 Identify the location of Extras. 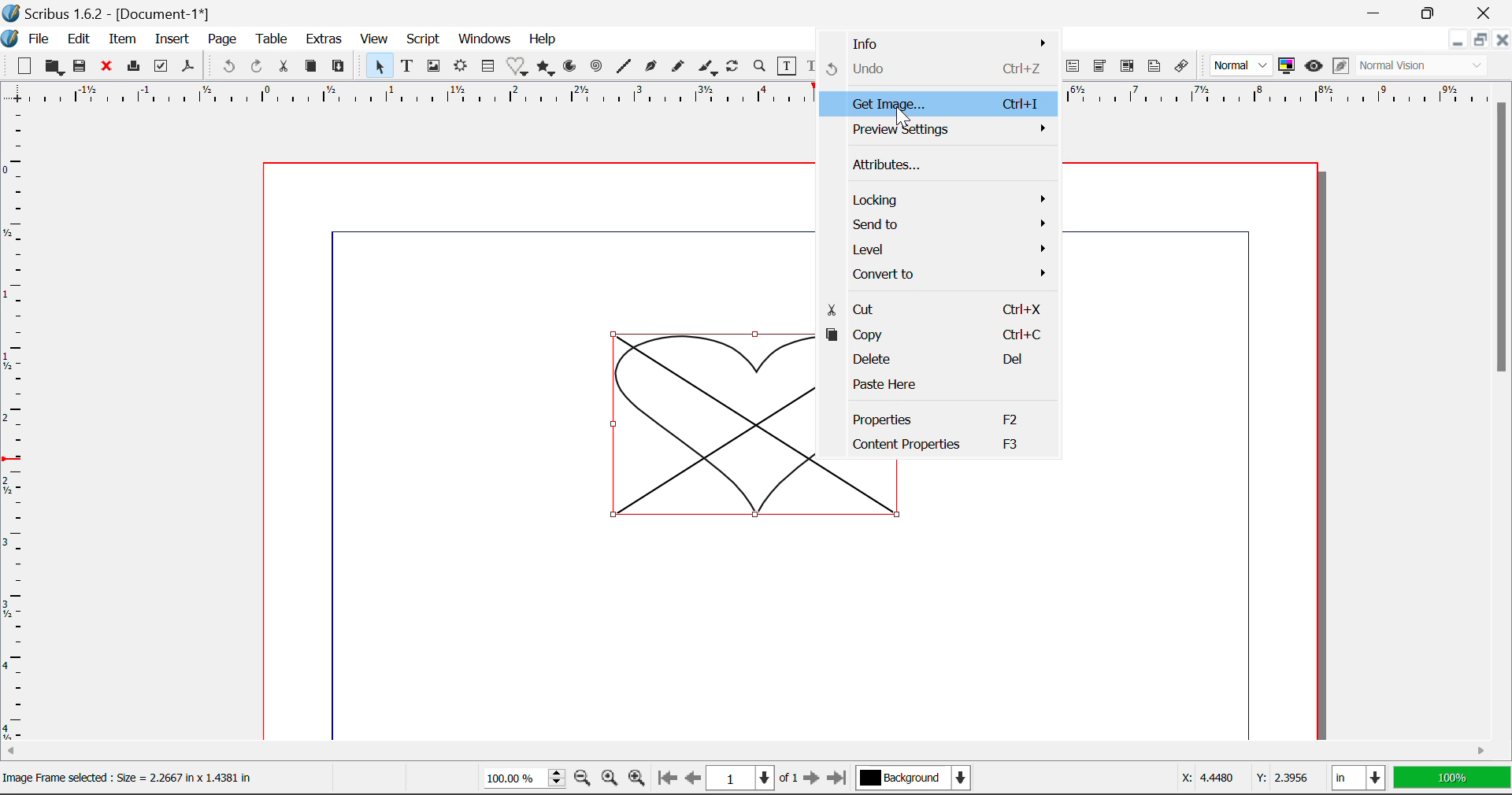
(327, 40).